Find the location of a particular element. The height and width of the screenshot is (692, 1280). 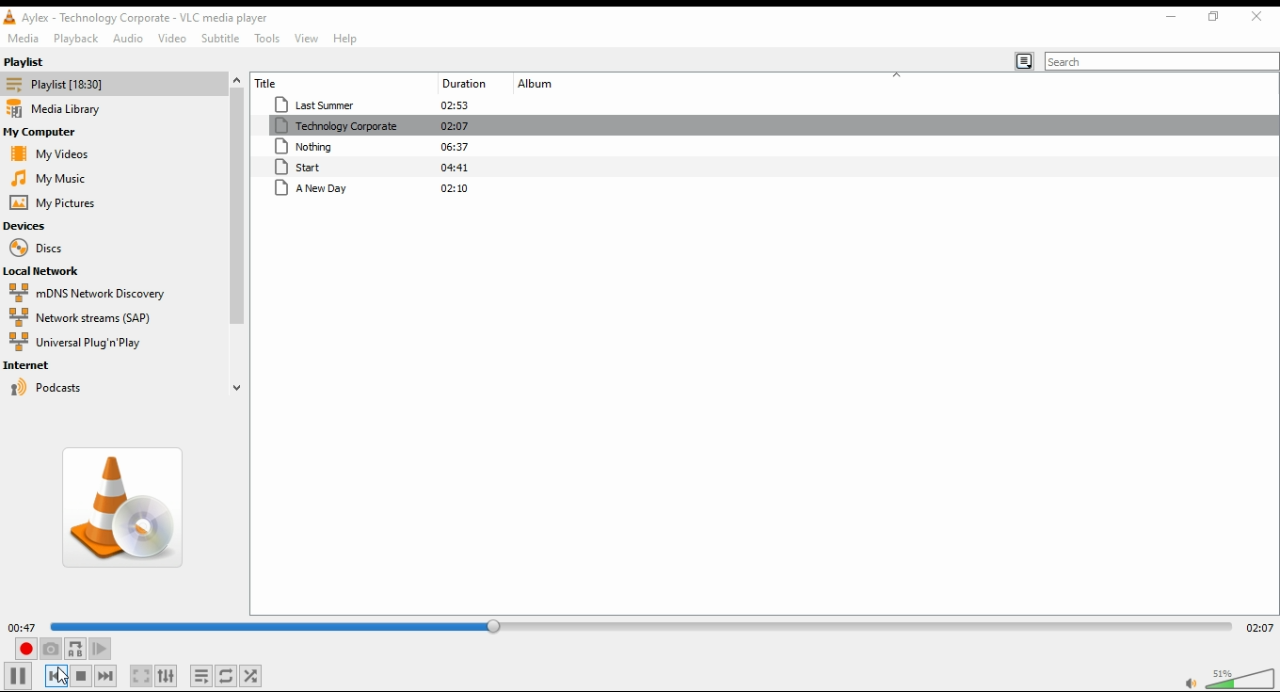

mute/unmute is located at coordinates (1188, 682).